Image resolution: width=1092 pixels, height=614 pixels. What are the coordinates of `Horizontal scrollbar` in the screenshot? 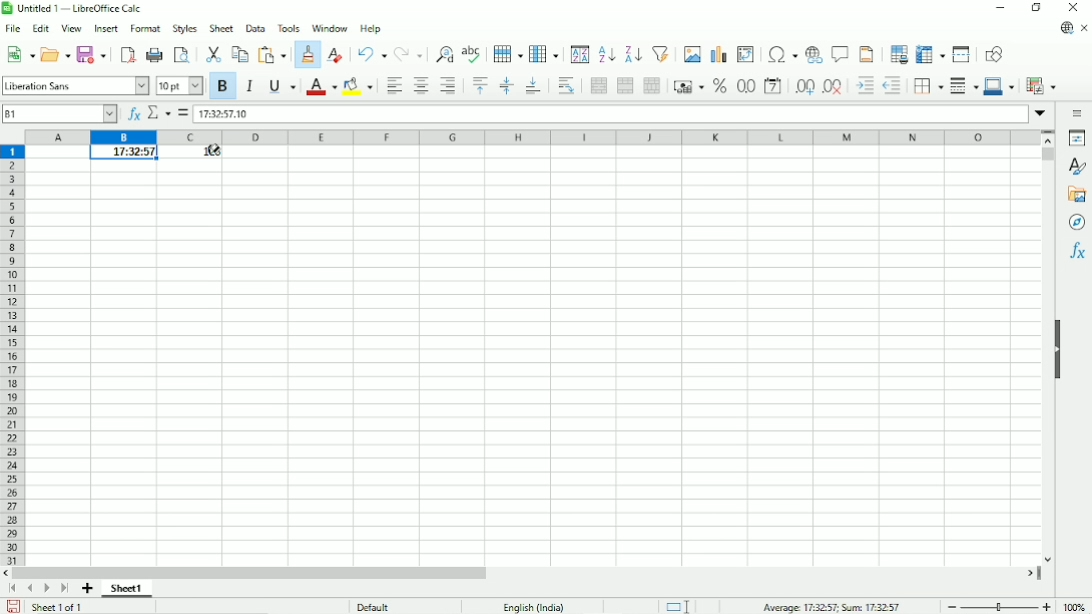 It's located at (253, 574).